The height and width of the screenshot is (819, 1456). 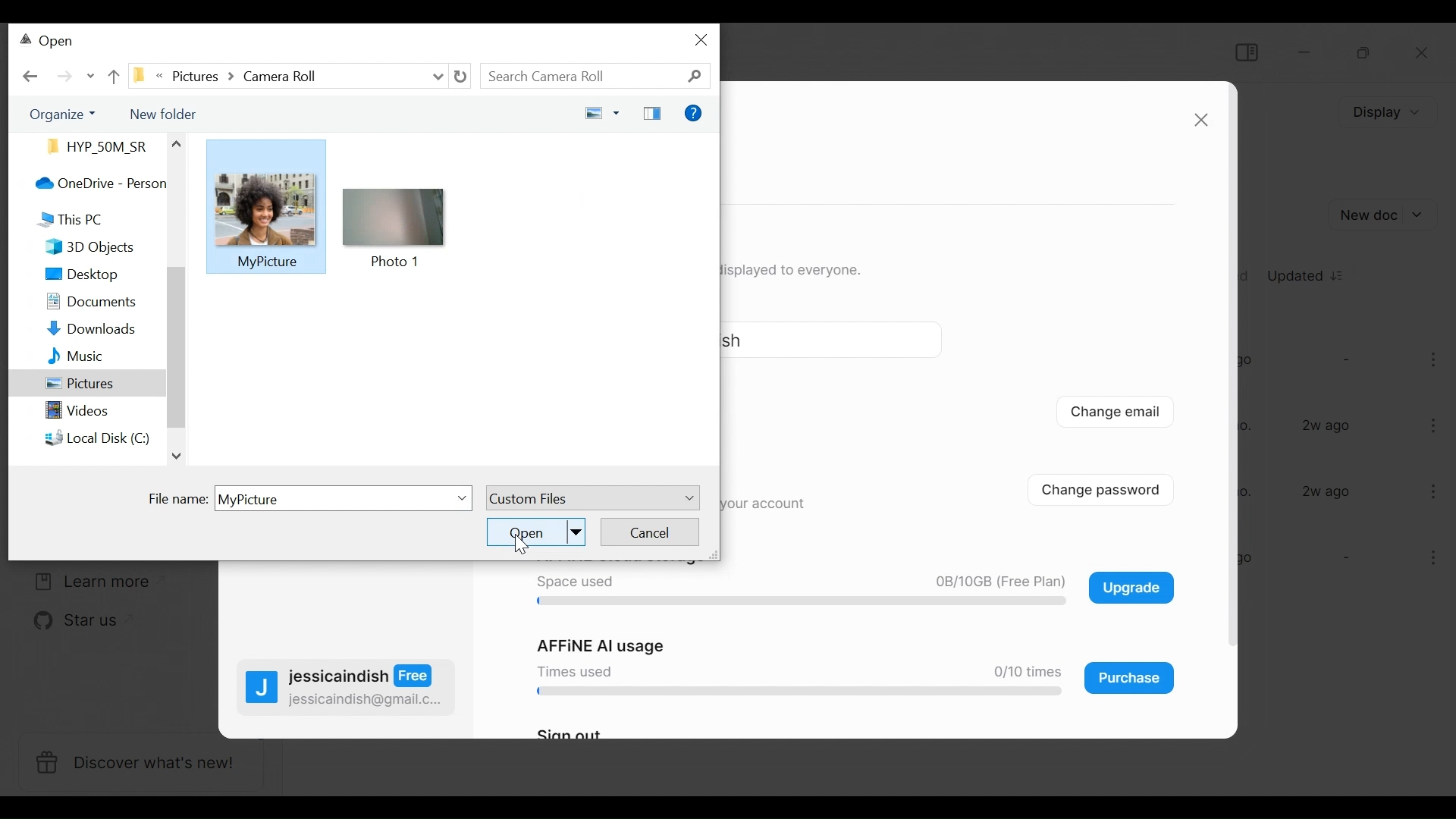 What do you see at coordinates (1131, 587) in the screenshot?
I see `Upgrade` at bounding box center [1131, 587].